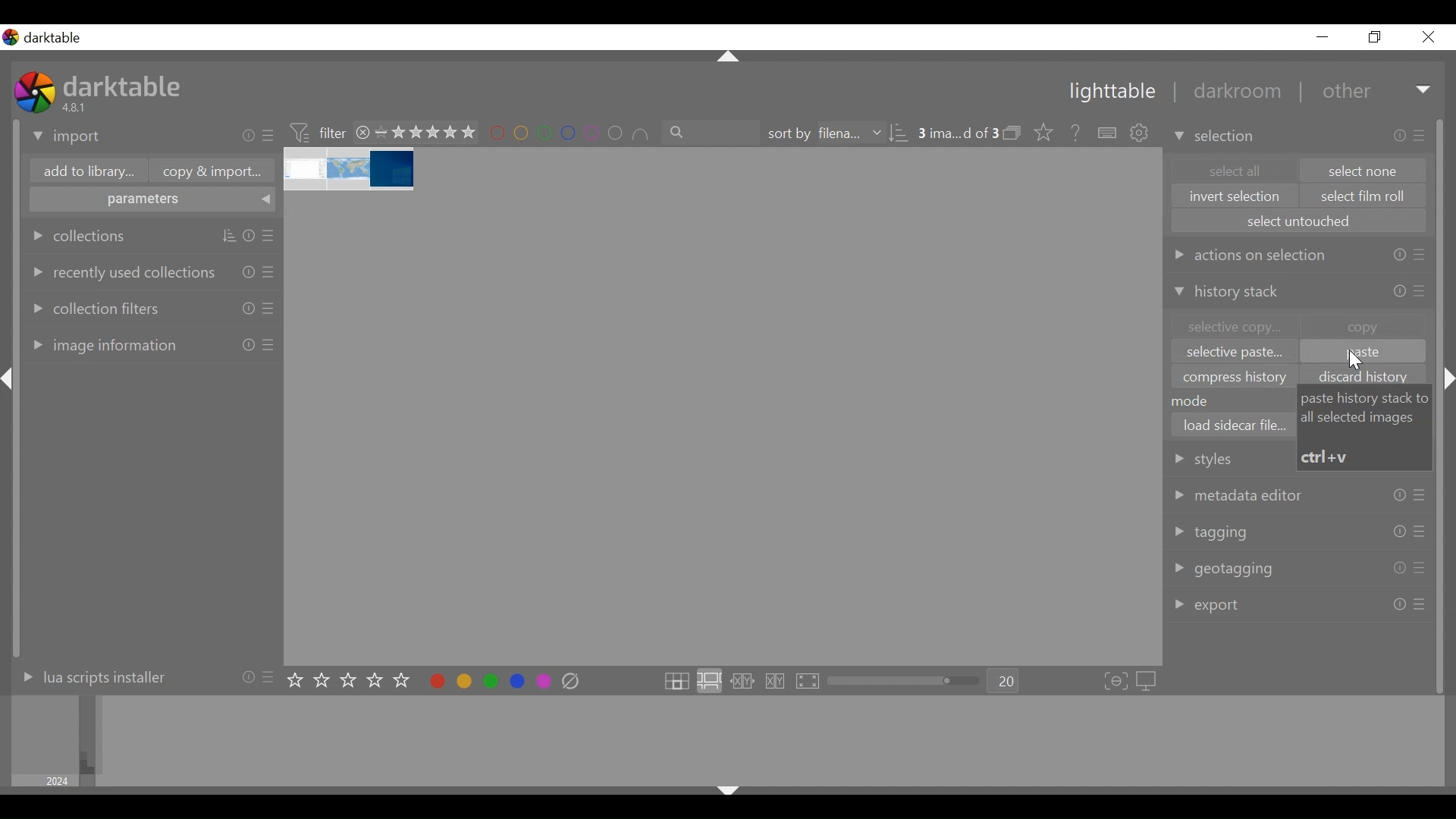 The image size is (1456, 819). Describe the element at coordinates (1419, 569) in the screenshot. I see `presets` at that location.